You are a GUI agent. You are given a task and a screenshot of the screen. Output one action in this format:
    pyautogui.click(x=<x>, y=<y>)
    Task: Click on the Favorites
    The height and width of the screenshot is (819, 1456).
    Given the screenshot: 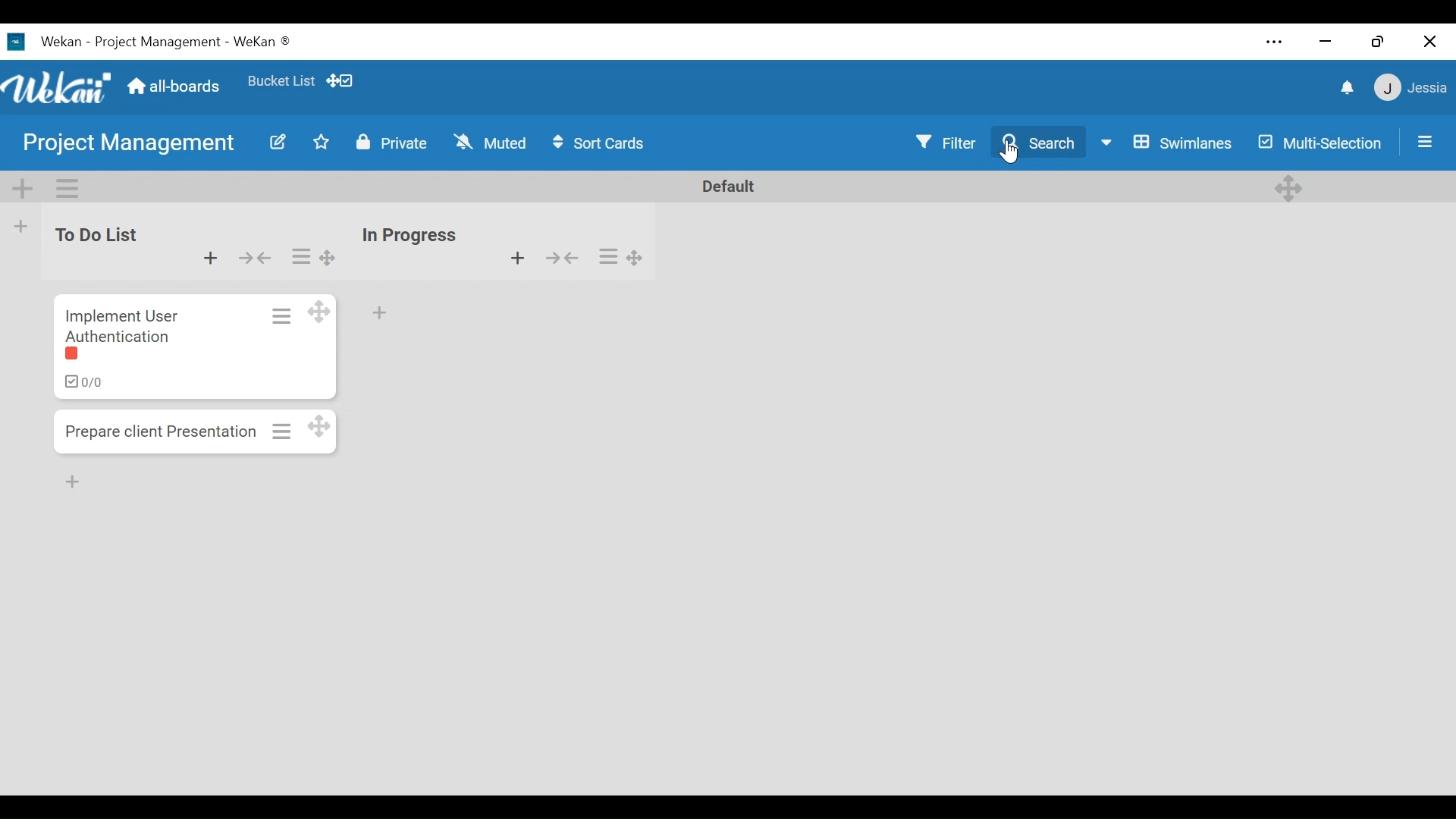 What is the action you would take?
    pyautogui.click(x=280, y=80)
    